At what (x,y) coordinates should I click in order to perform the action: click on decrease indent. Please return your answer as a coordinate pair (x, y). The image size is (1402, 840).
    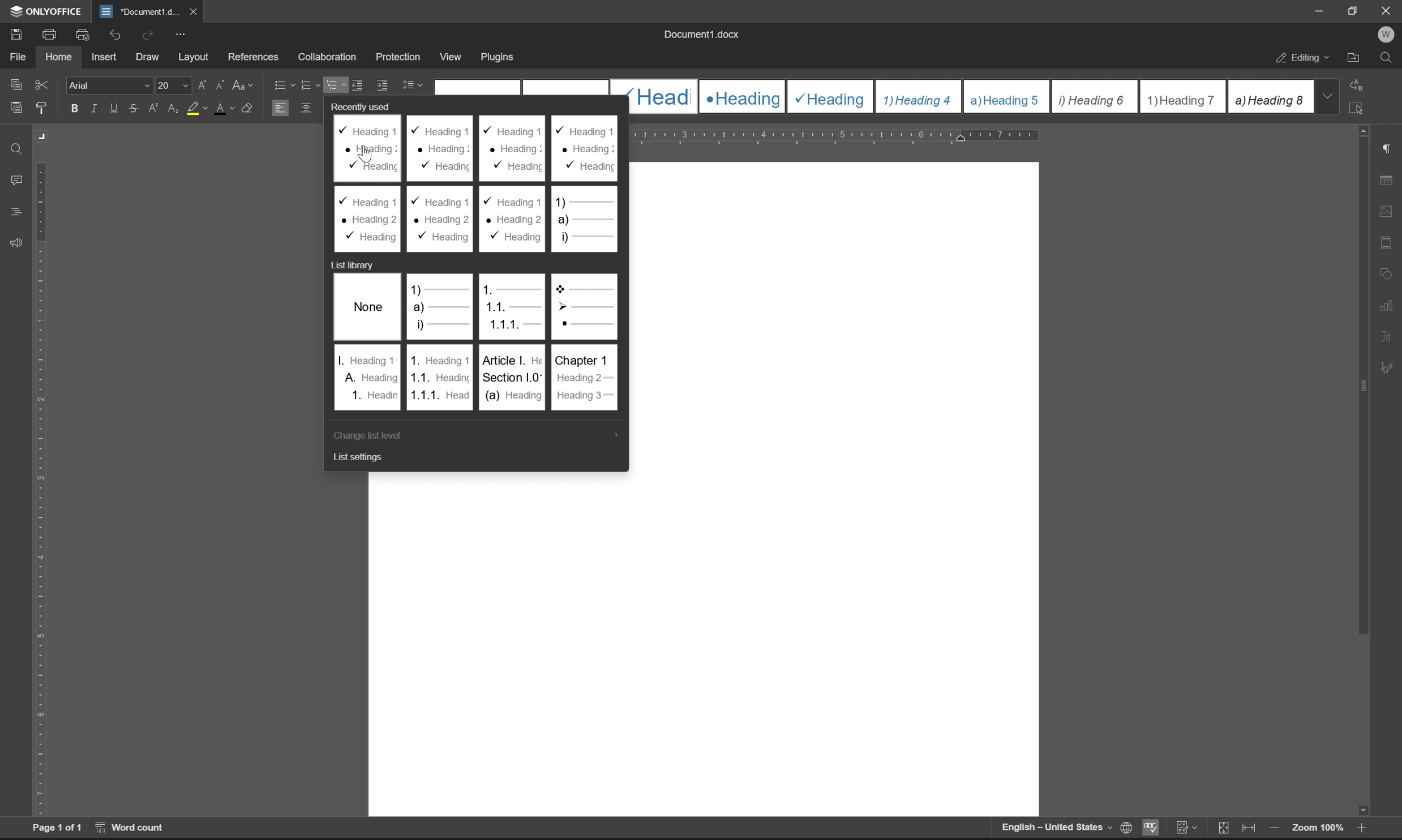
    Looking at the image, I should click on (360, 84).